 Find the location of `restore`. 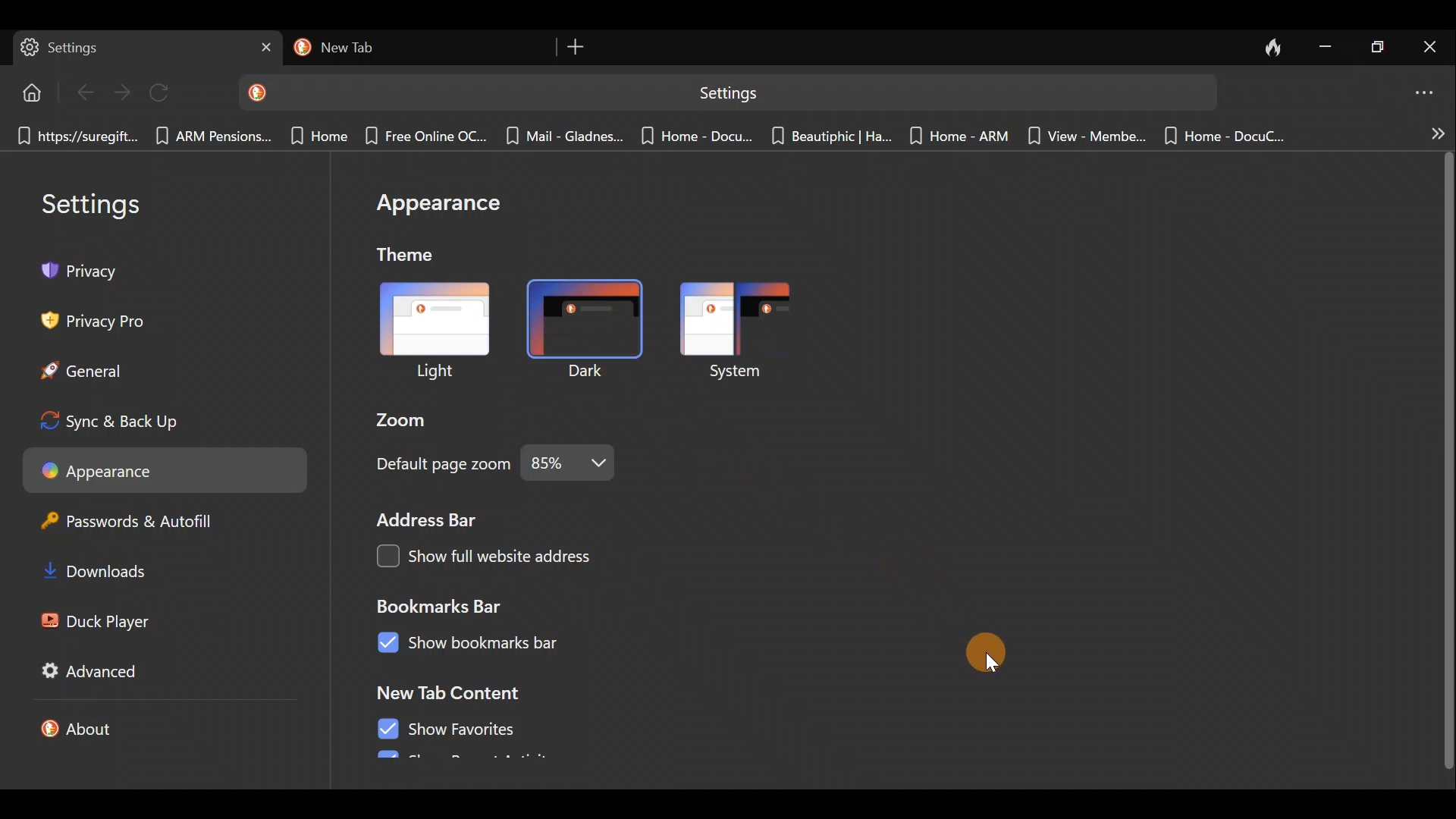

restore is located at coordinates (1379, 46).